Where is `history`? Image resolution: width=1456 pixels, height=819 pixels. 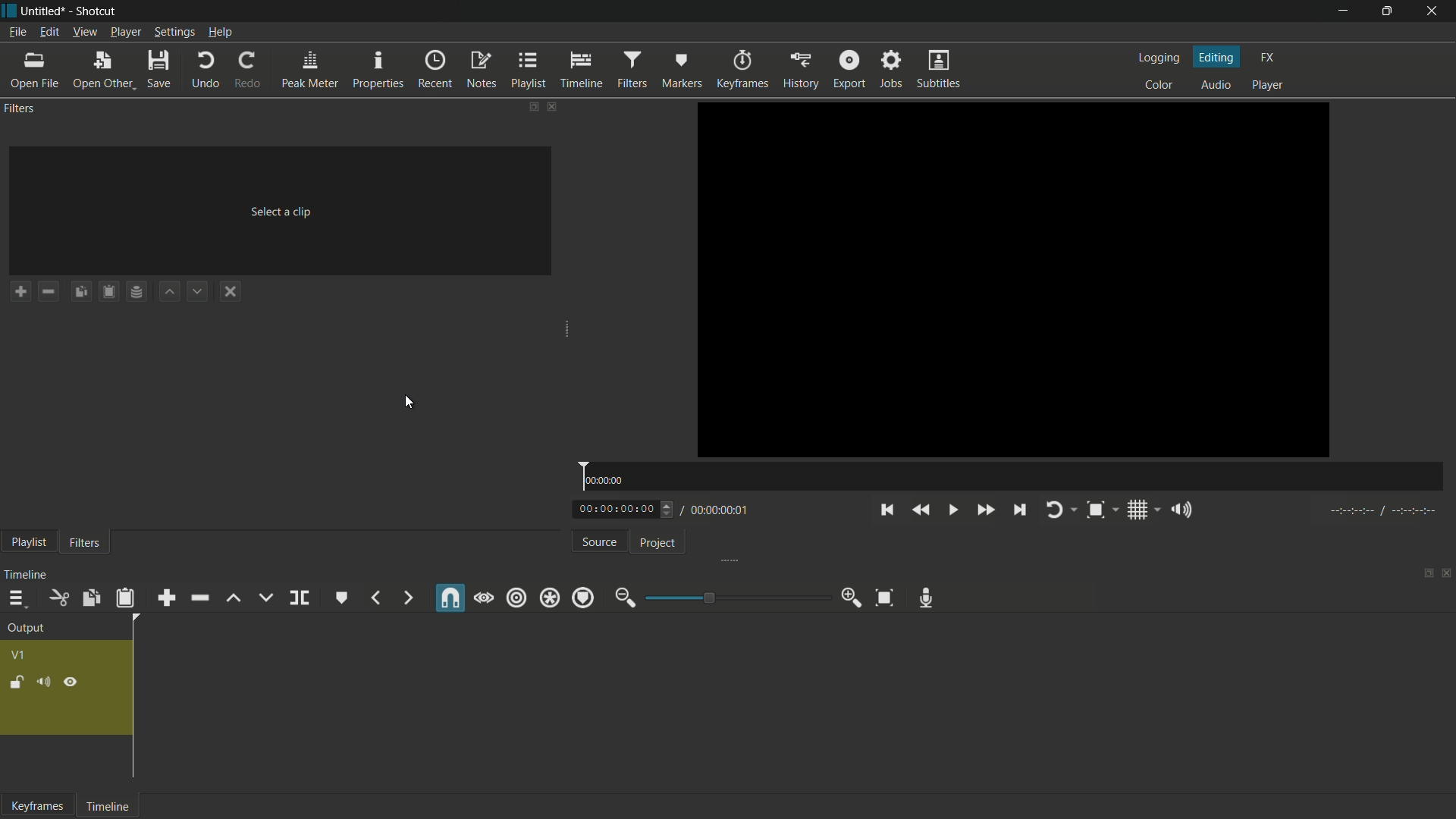 history is located at coordinates (800, 71).